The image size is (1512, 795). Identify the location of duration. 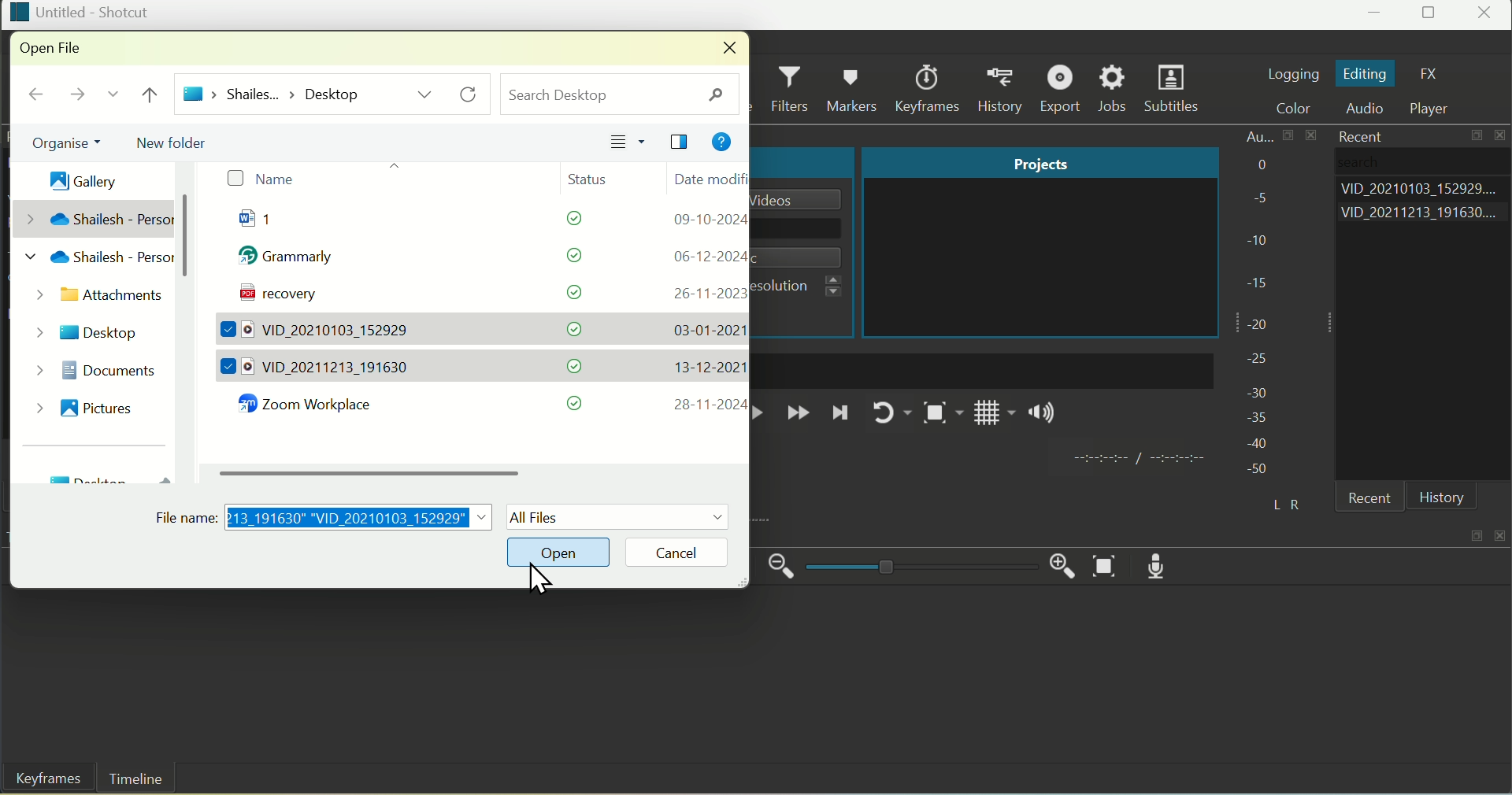
(1136, 460).